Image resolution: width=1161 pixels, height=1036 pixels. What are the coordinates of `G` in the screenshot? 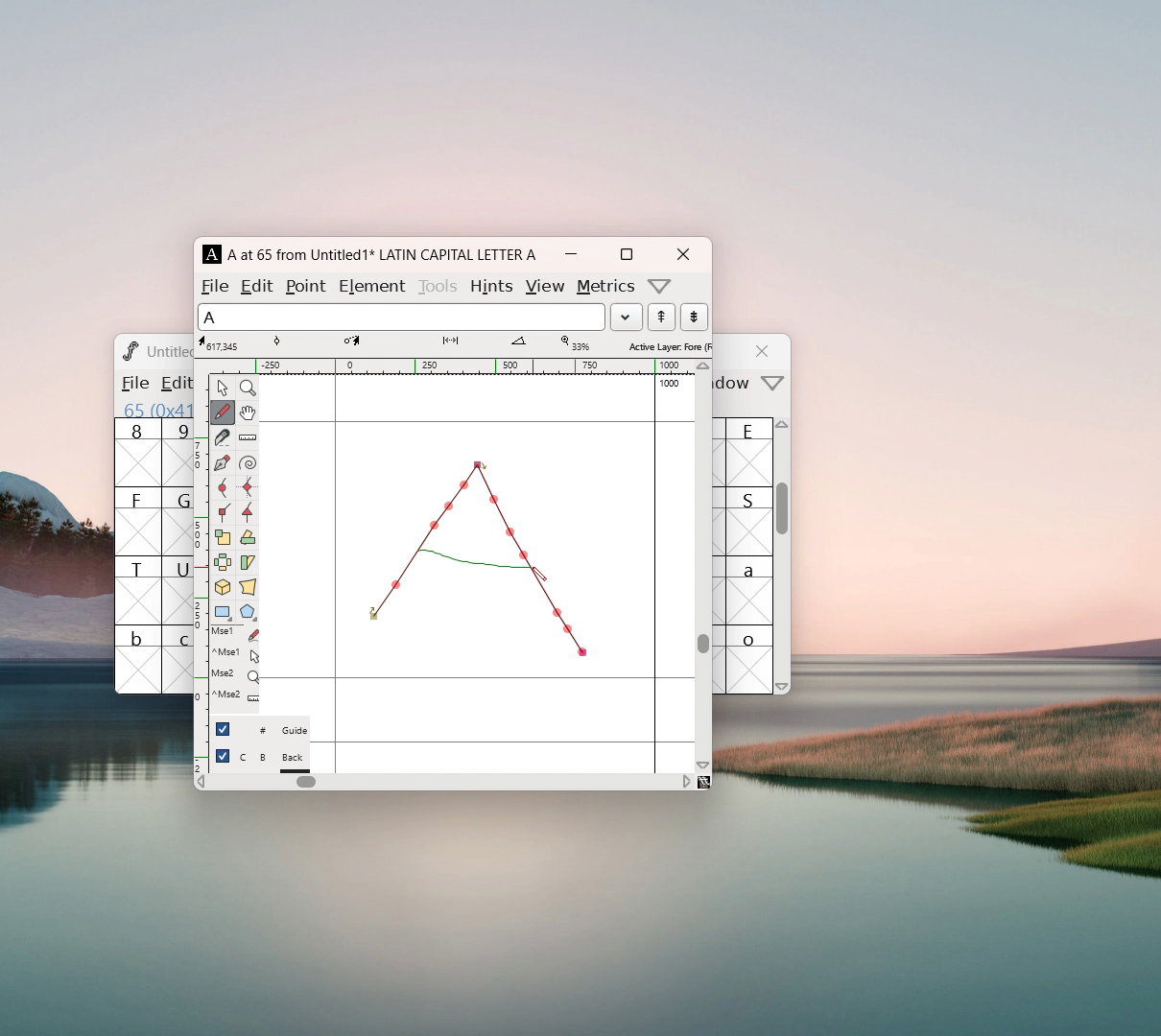 It's located at (177, 521).